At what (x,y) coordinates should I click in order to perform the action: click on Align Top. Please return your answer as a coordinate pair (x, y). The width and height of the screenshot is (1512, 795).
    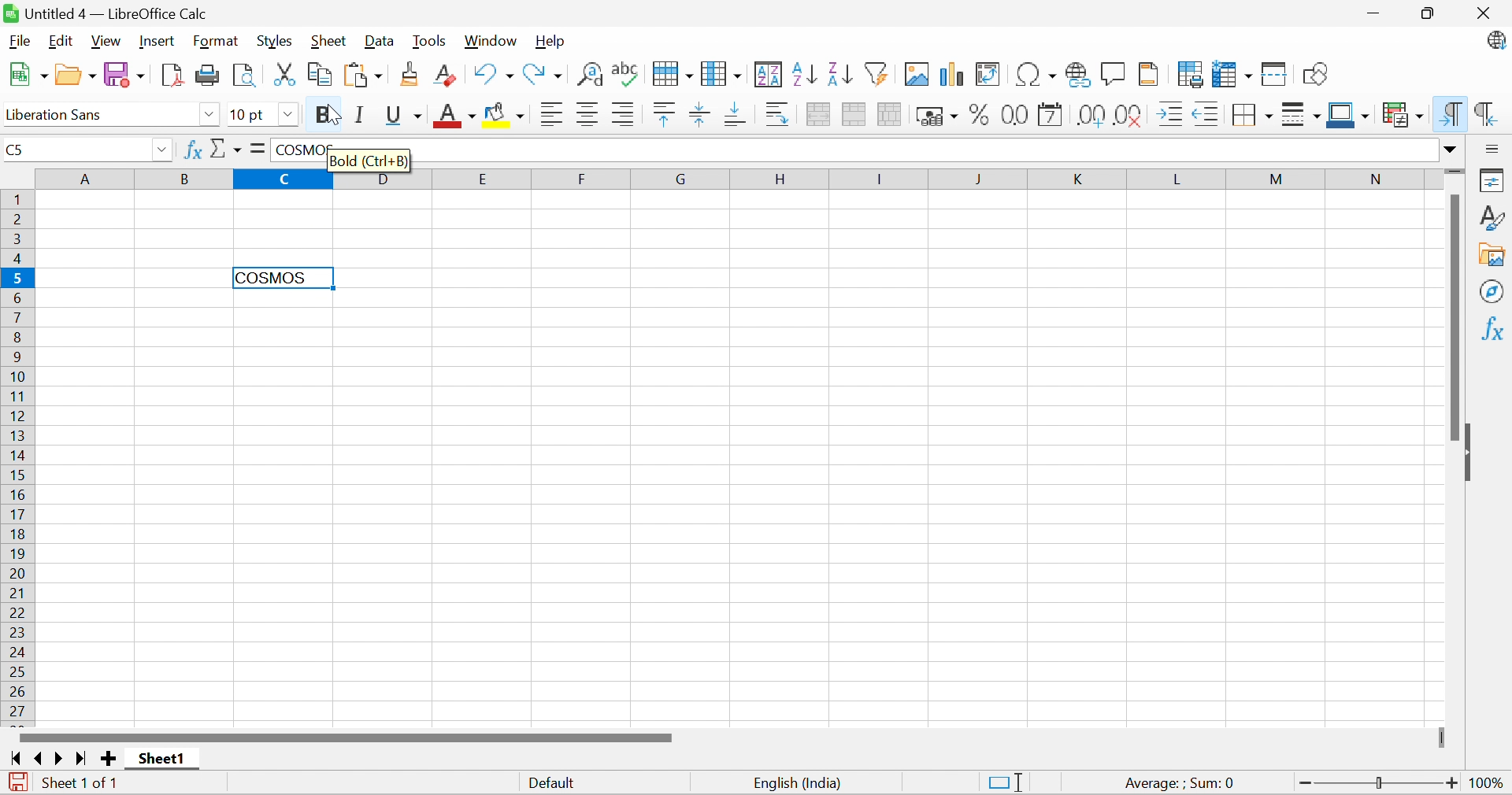
    Looking at the image, I should click on (665, 115).